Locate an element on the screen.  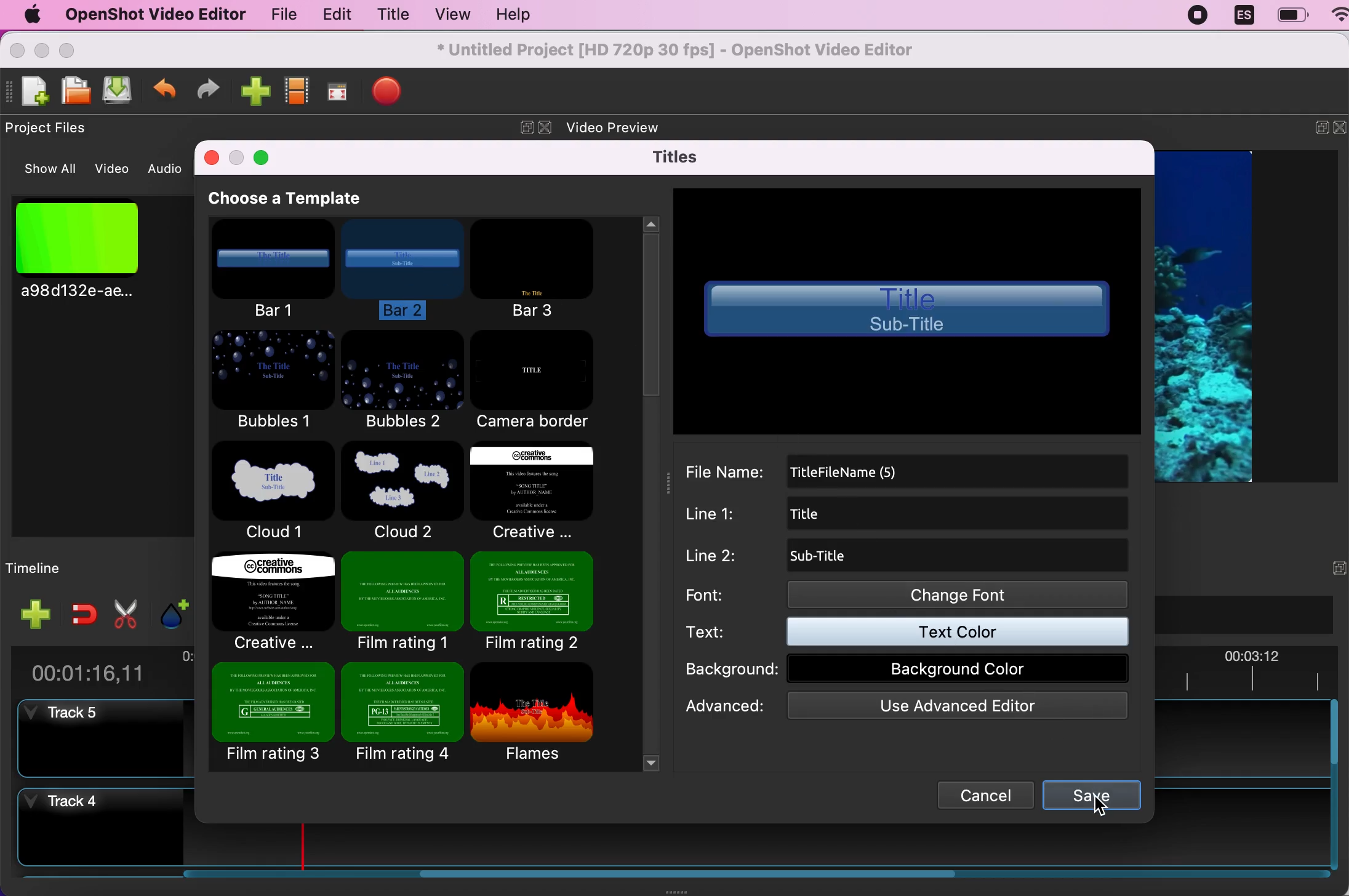
track 5 is located at coordinates (110, 740).